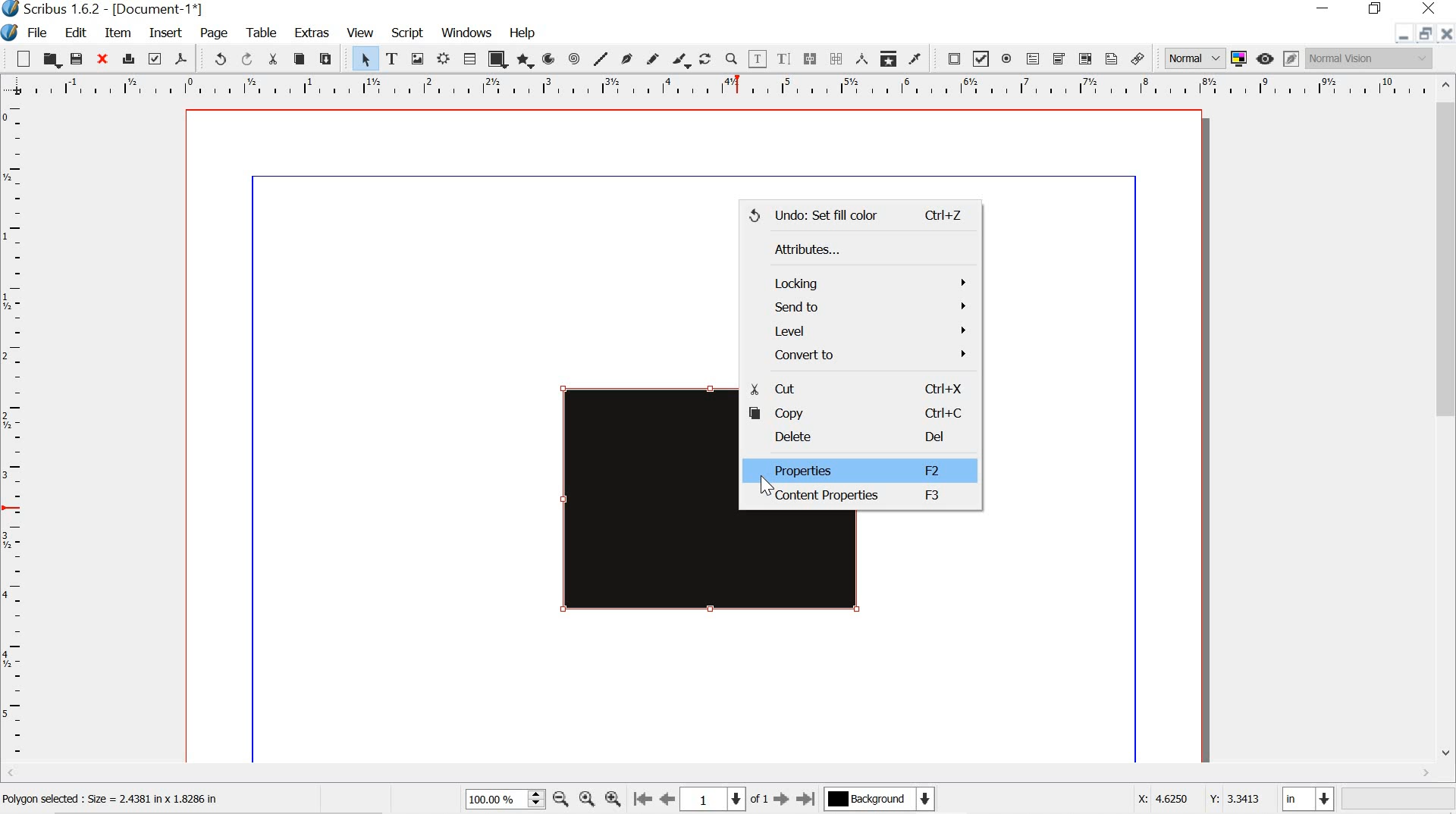  What do you see at coordinates (50, 58) in the screenshot?
I see `open` at bounding box center [50, 58].